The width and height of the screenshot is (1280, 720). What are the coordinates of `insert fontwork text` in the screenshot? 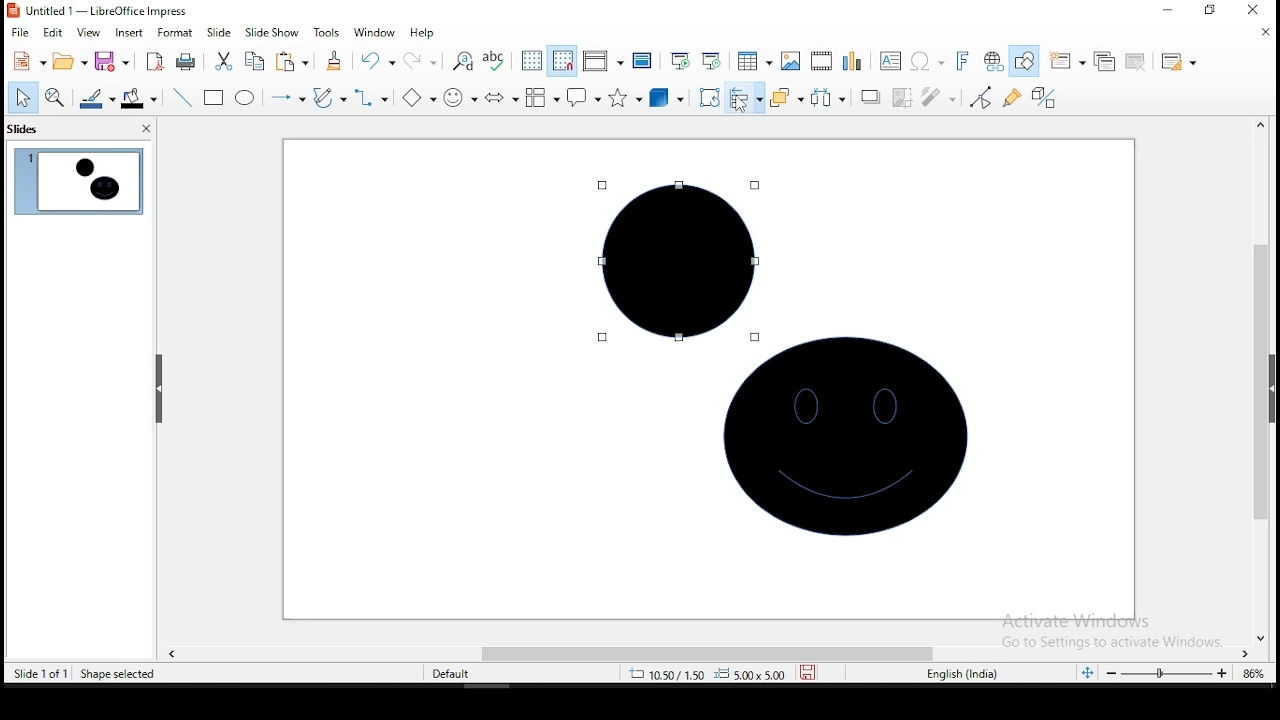 It's located at (964, 60).